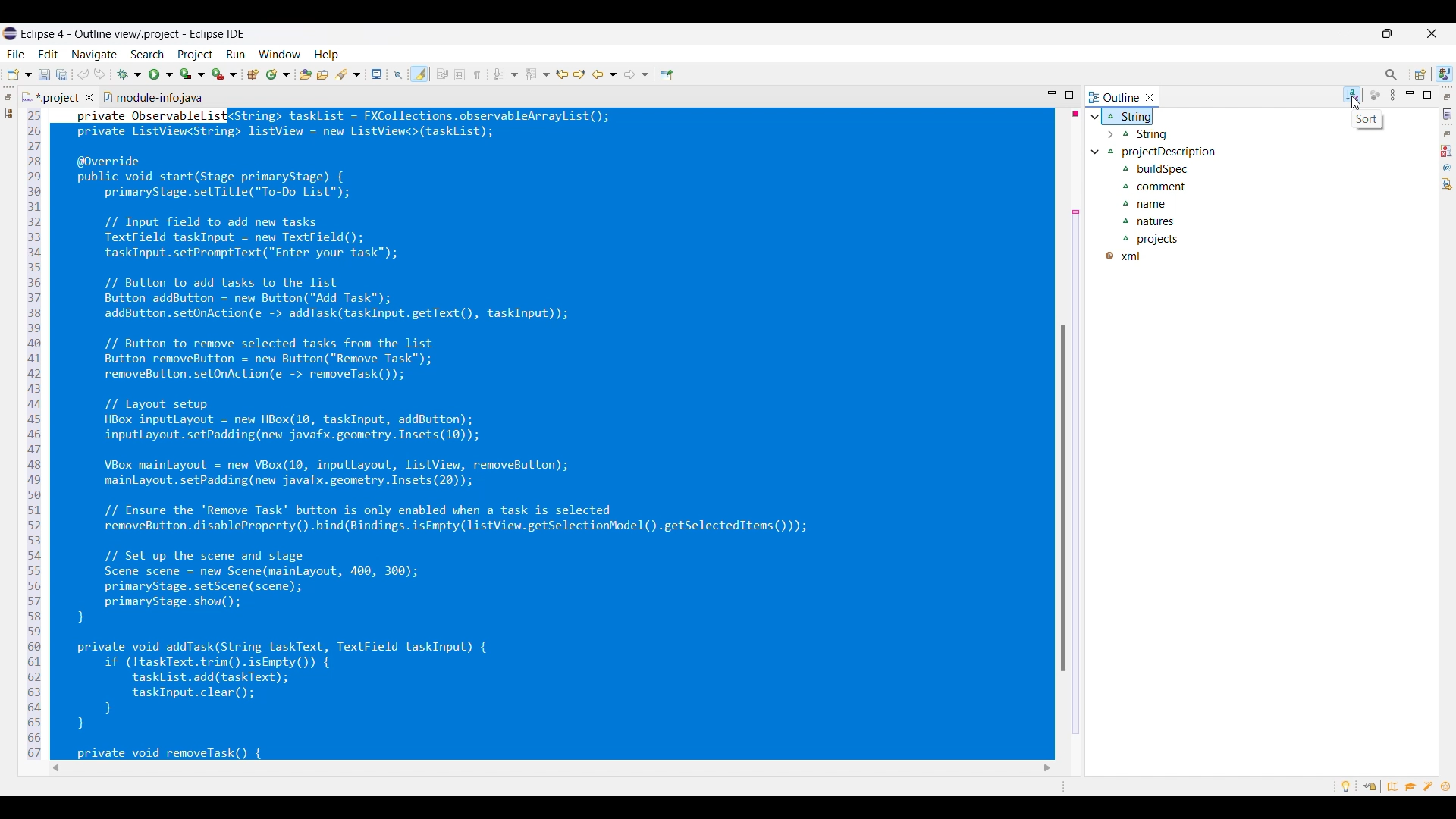  What do you see at coordinates (323, 74) in the screenshot?
I see `Open task` at bounding box center [323, 74].